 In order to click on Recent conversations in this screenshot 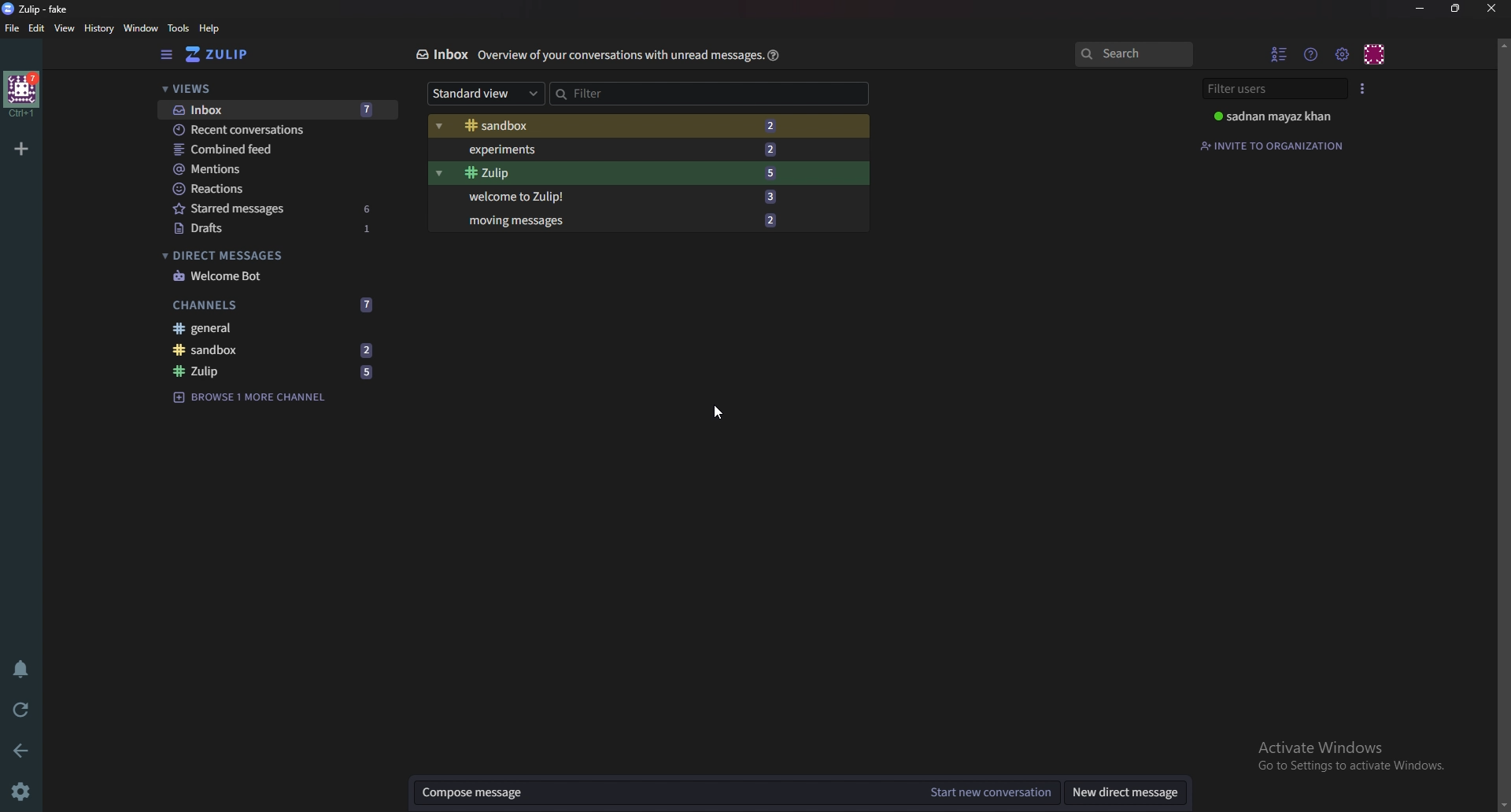, I will do `click(269, 131)`.